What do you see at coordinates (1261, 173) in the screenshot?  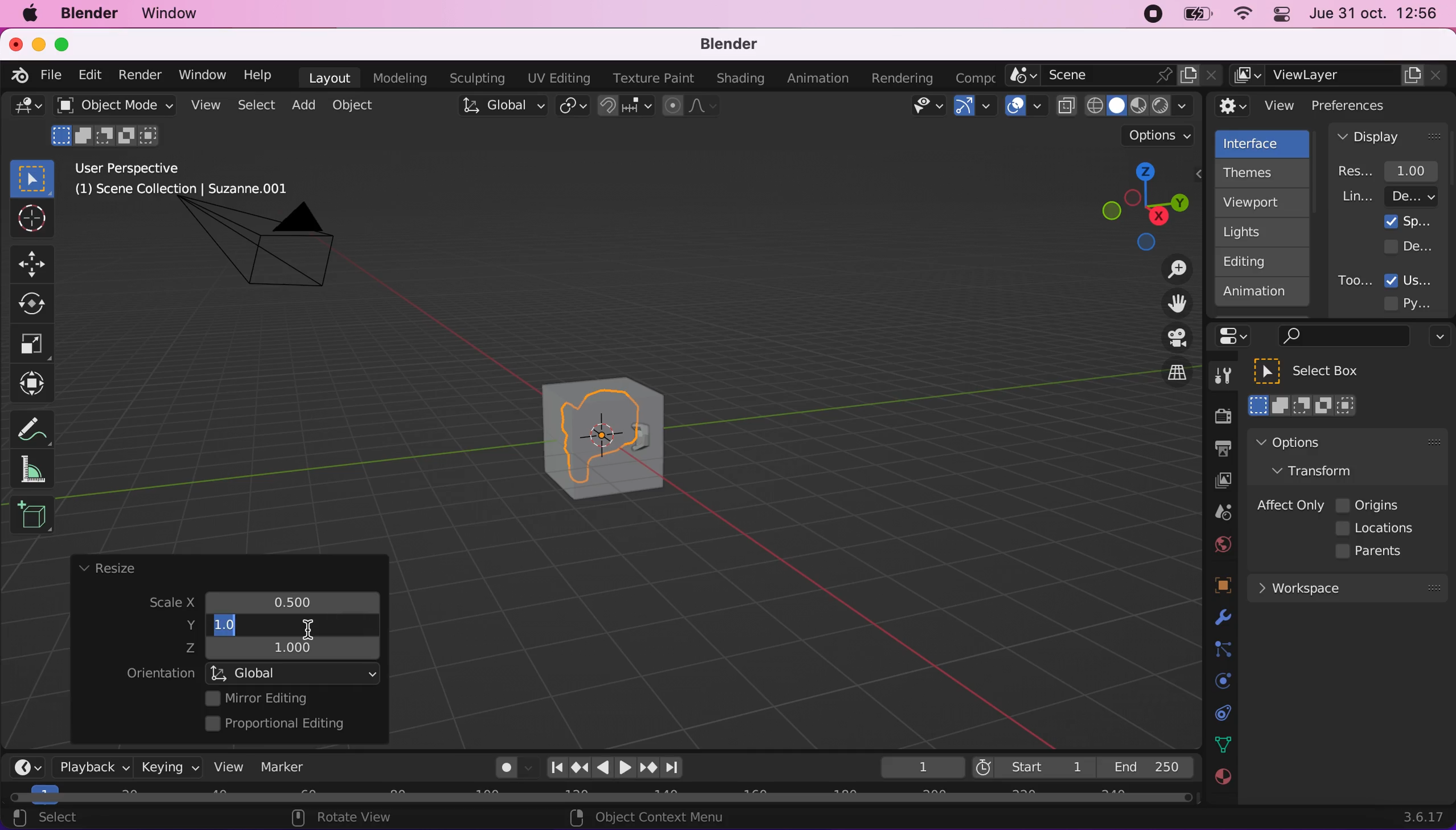 I see `themes` at bounding box center [1261, 173].